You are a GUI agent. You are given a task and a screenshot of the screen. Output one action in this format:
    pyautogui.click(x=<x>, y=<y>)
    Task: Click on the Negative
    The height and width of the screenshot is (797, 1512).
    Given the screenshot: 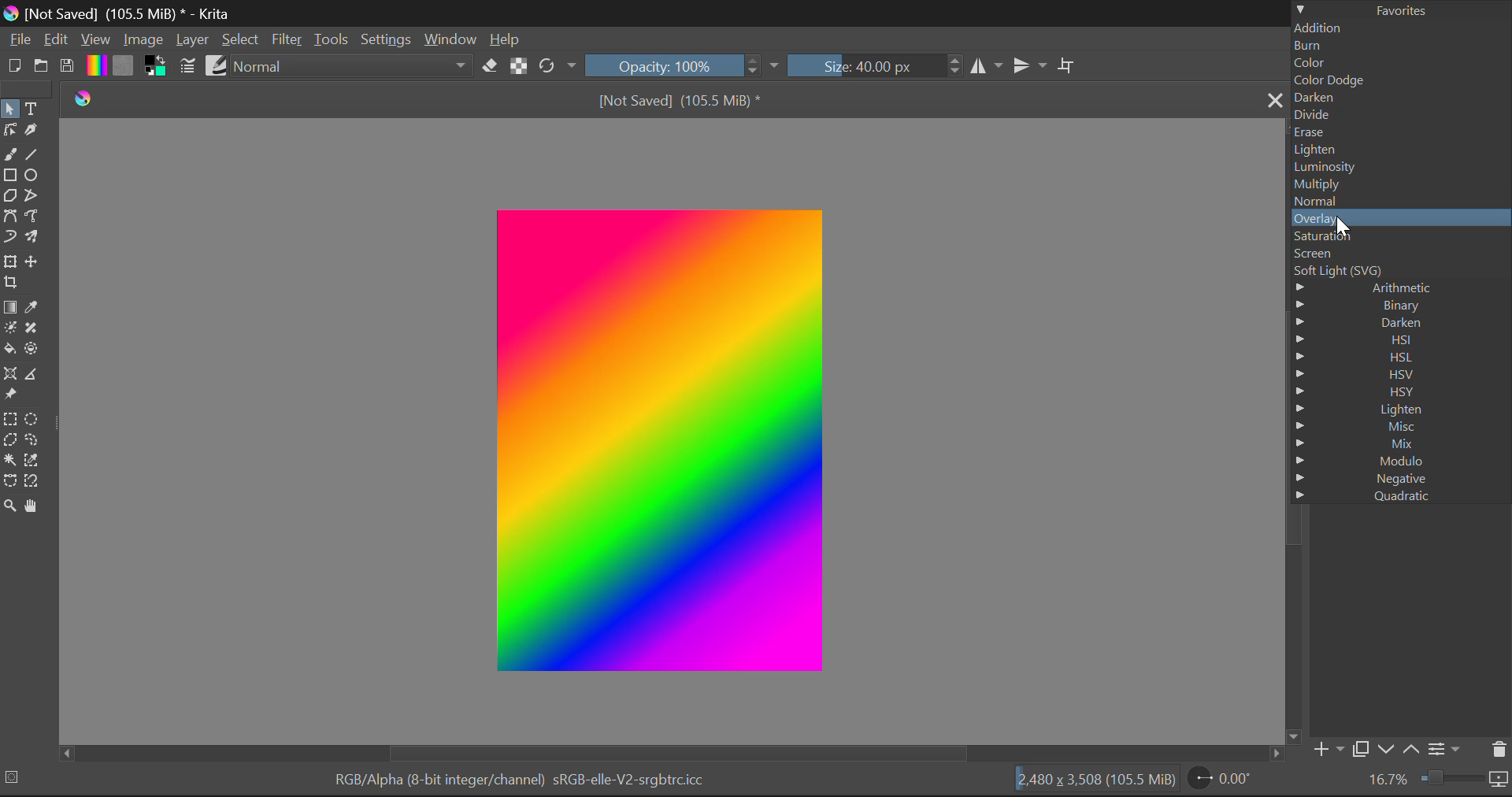 What is the action you would take?
    pyautogui.click(x=1400, y=478)
    